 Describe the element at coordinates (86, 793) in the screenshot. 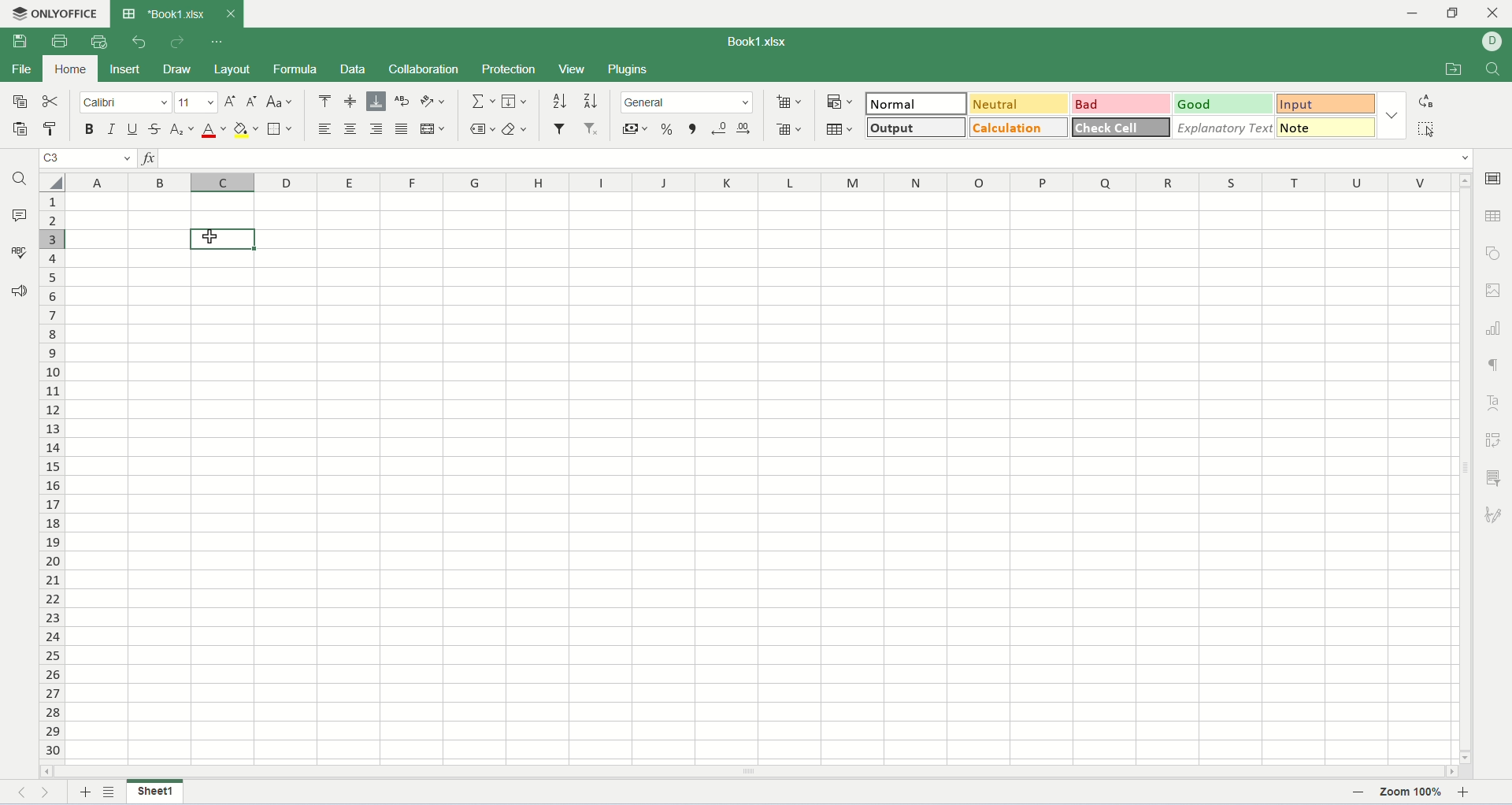

I see `new sheet` at that location.